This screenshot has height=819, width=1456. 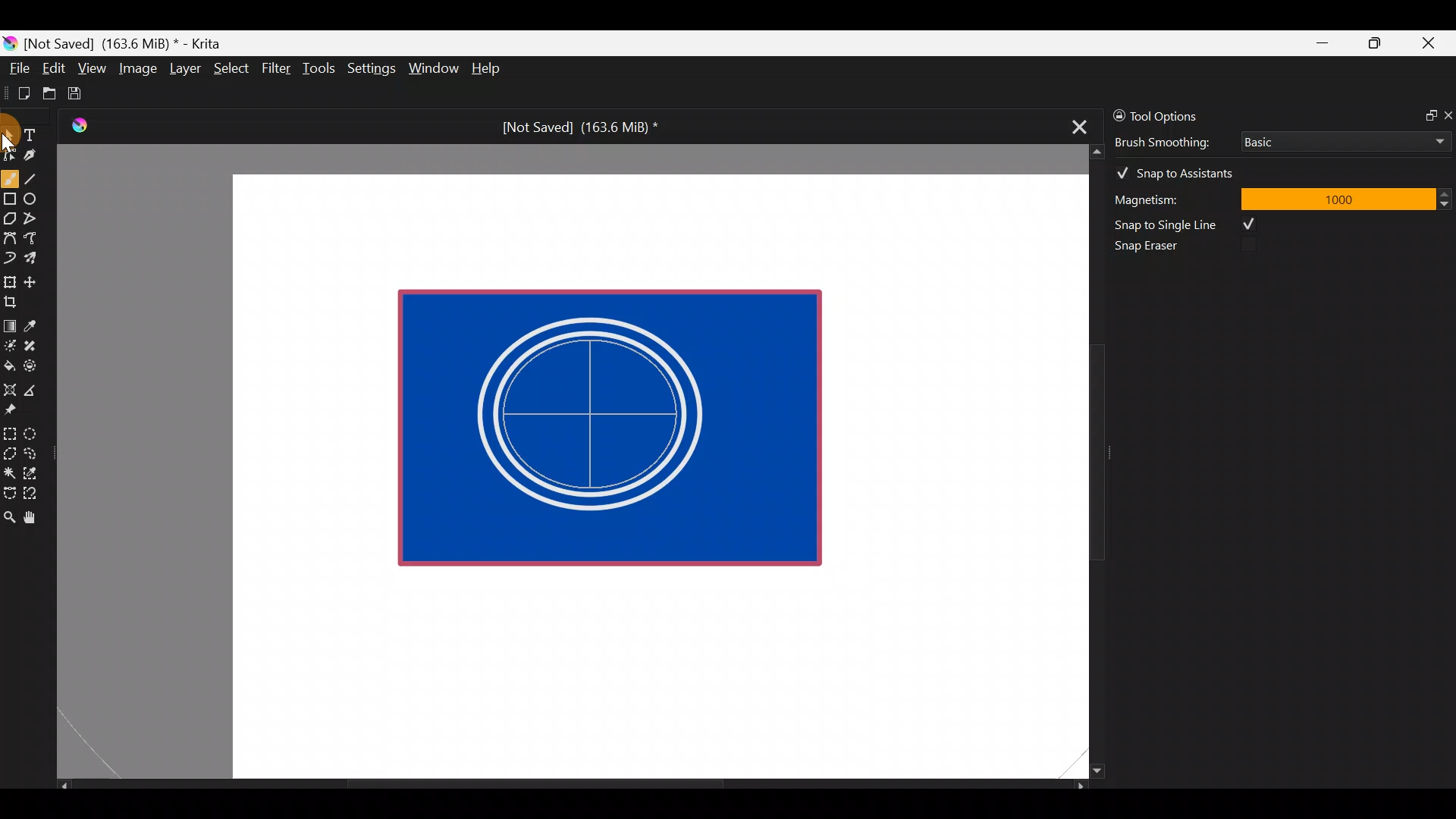 What do you see at coordinates (488, 70) in the screenshot?
I see `Help` at bounding box center [488, 70].